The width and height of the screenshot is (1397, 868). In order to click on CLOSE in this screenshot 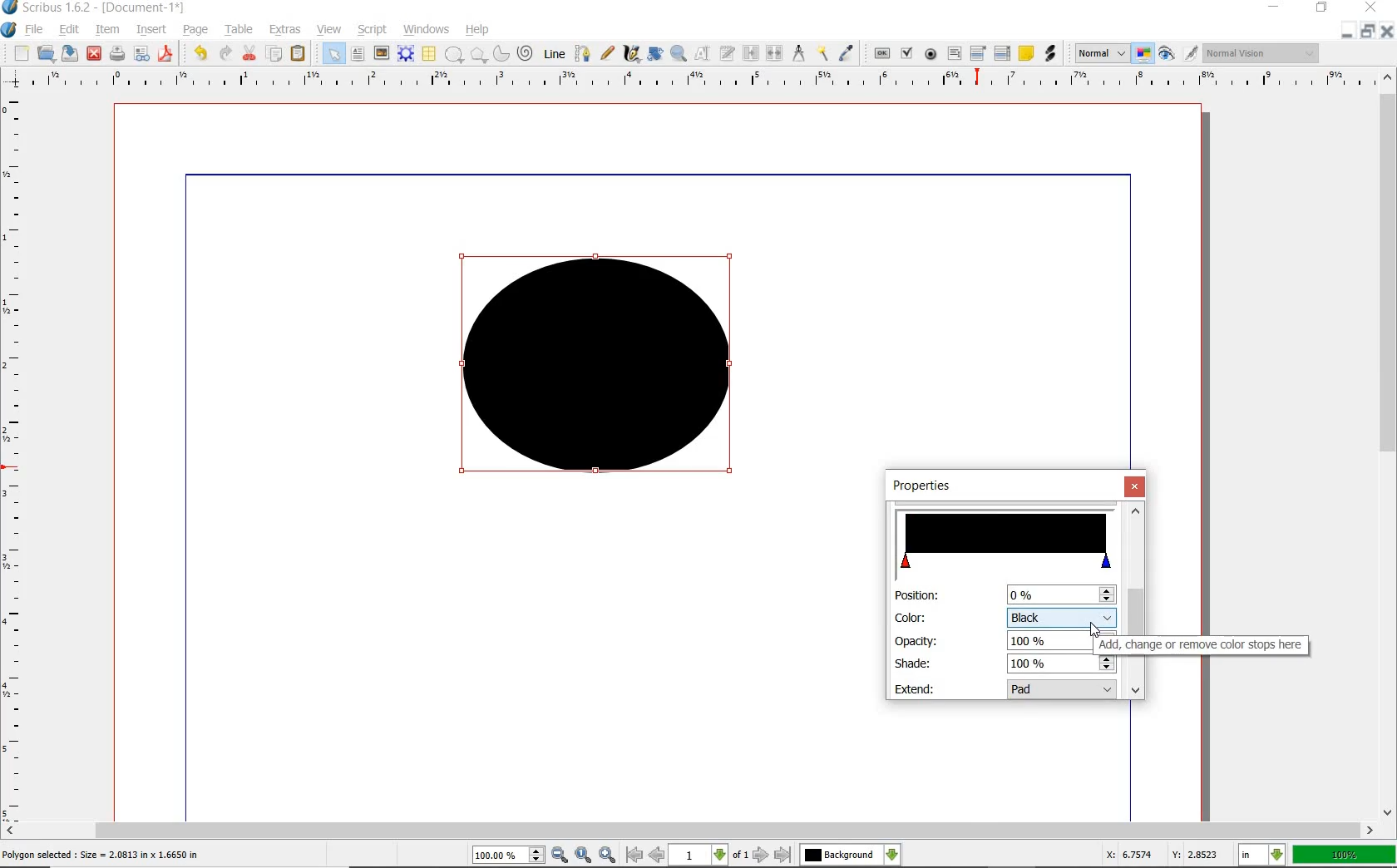, I will do `click(94, 54)`.